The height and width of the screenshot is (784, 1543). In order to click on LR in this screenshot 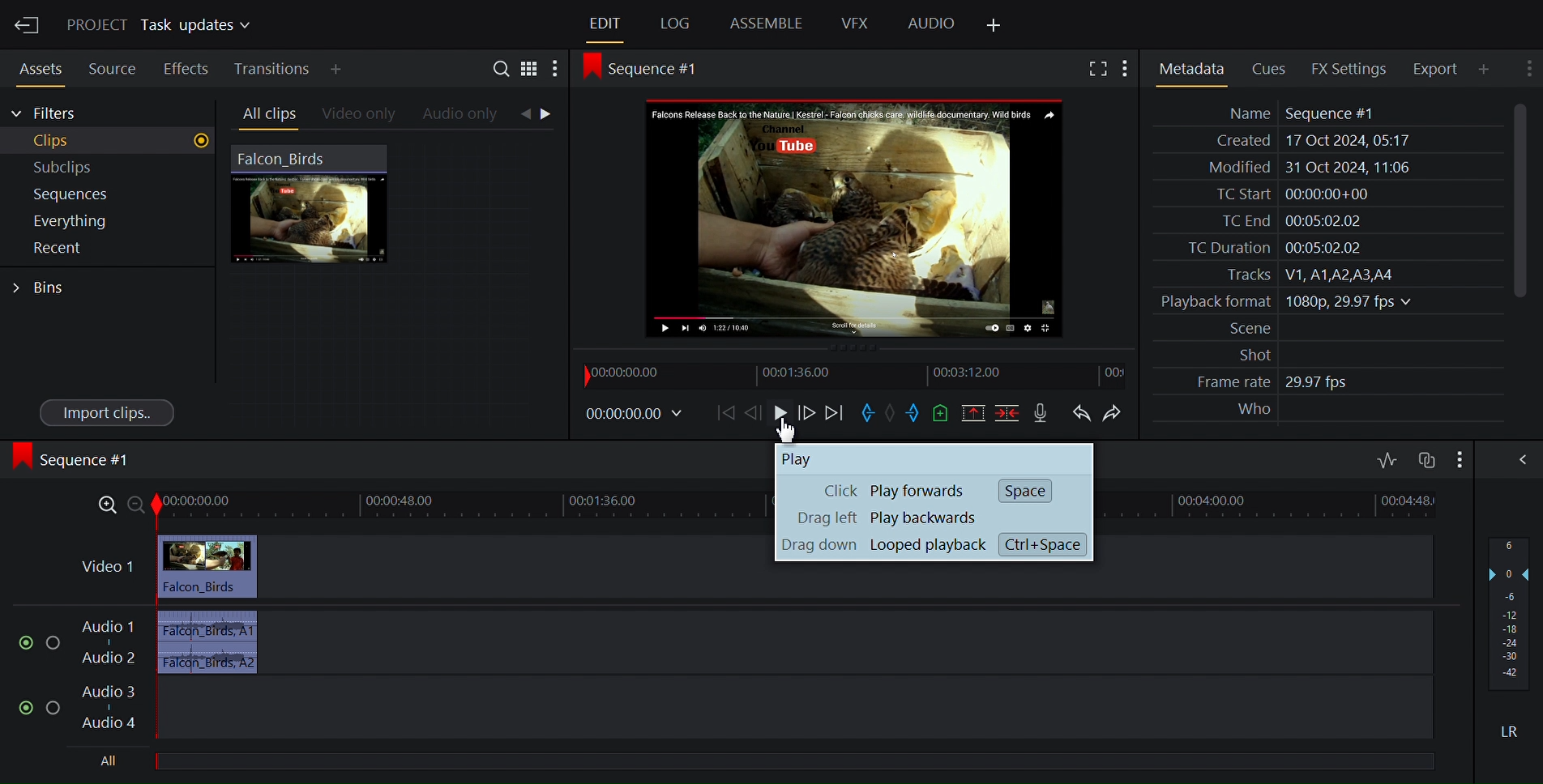, I will do `click(1506, 728)`.